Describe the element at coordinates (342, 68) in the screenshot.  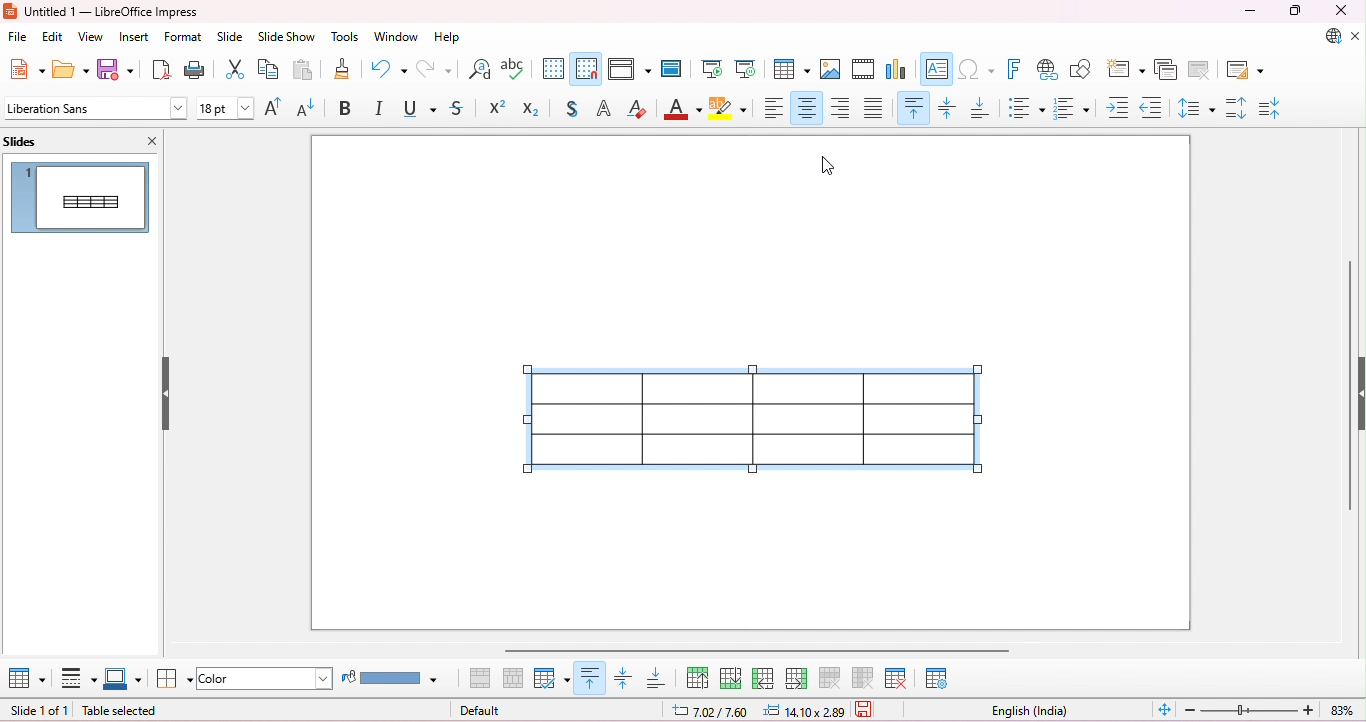
I see `clone` at that location.